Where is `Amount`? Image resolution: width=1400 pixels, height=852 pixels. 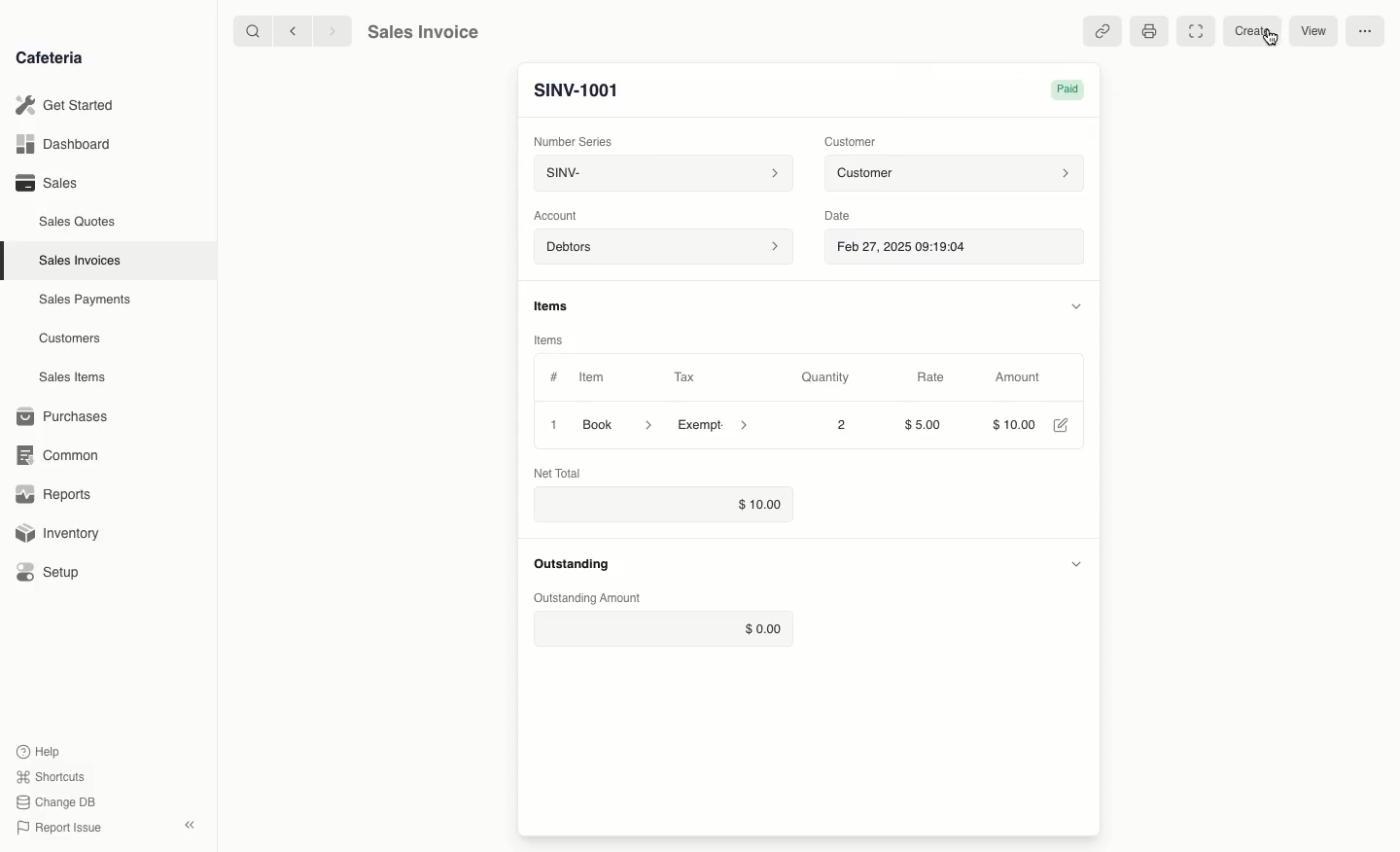
Amount is located at coordinates (1019, 377).